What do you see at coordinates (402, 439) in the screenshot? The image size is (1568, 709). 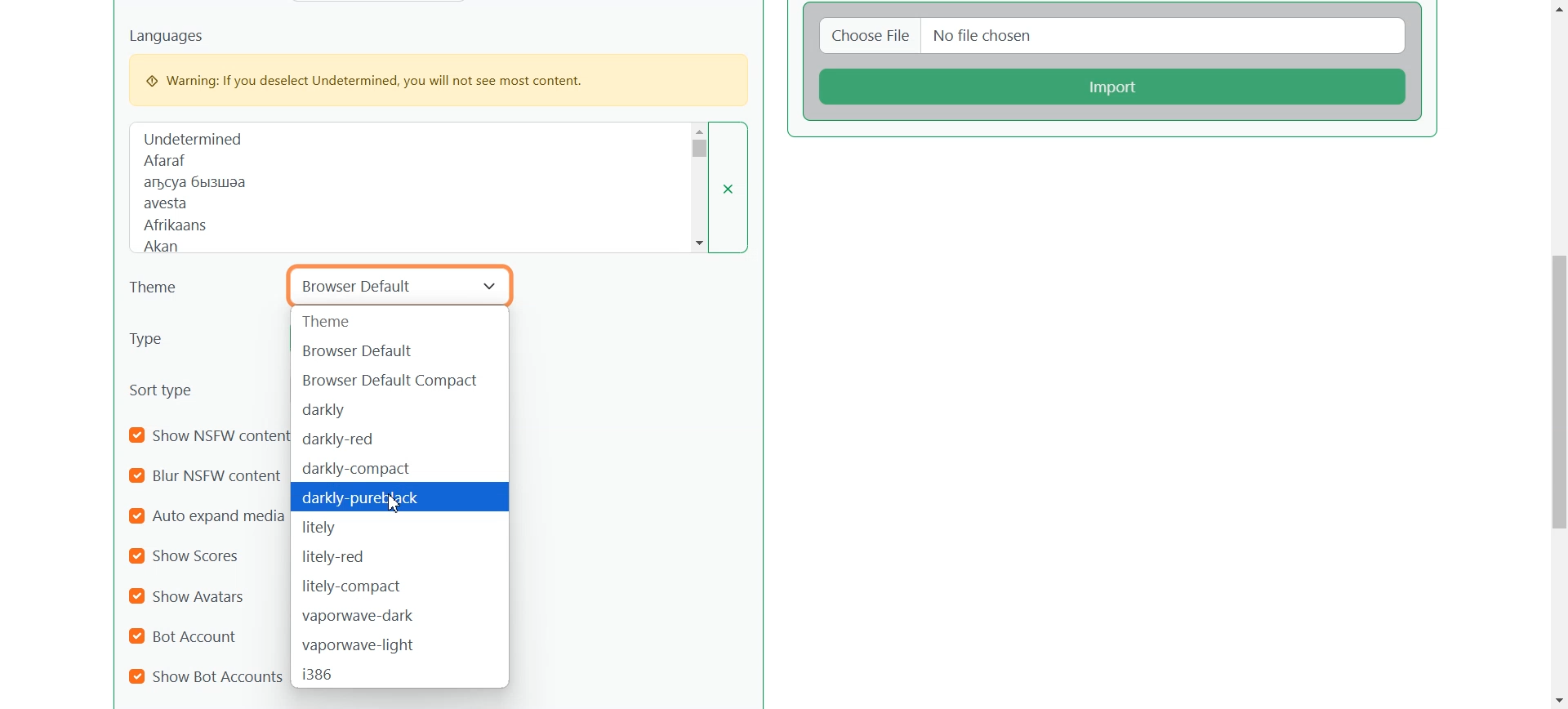 I see `darkly-red` at bounding box center [402, 439].